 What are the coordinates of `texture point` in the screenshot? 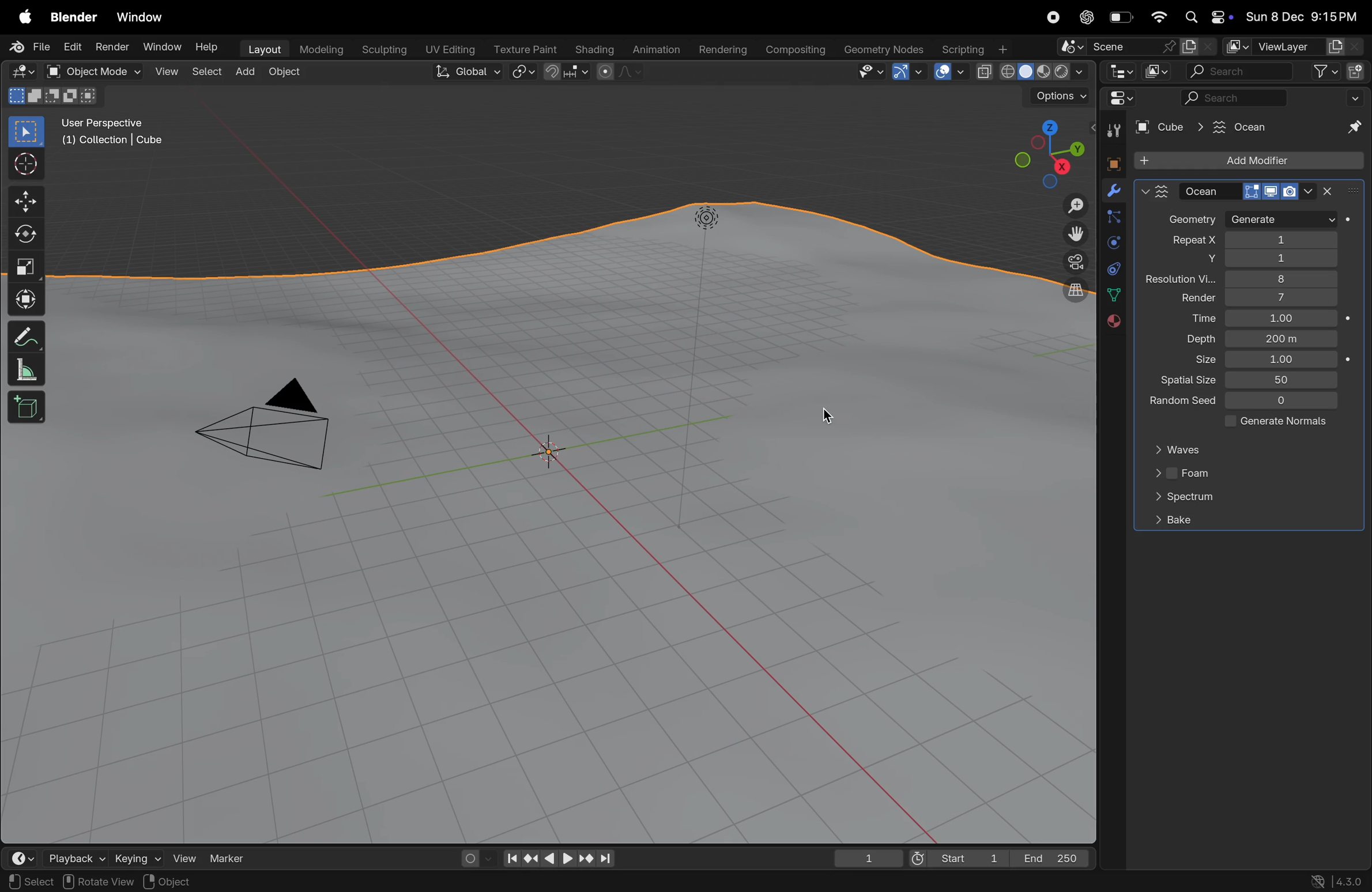 It's located at (527, 49).